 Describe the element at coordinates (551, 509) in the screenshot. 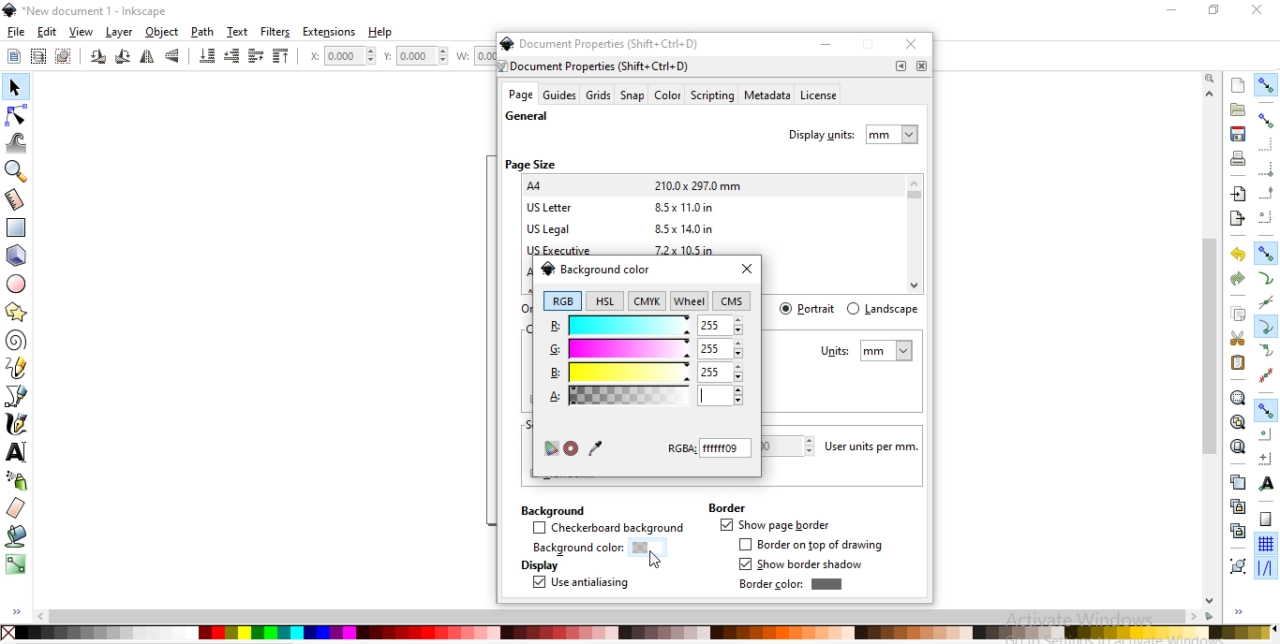

I see `background` at that location.